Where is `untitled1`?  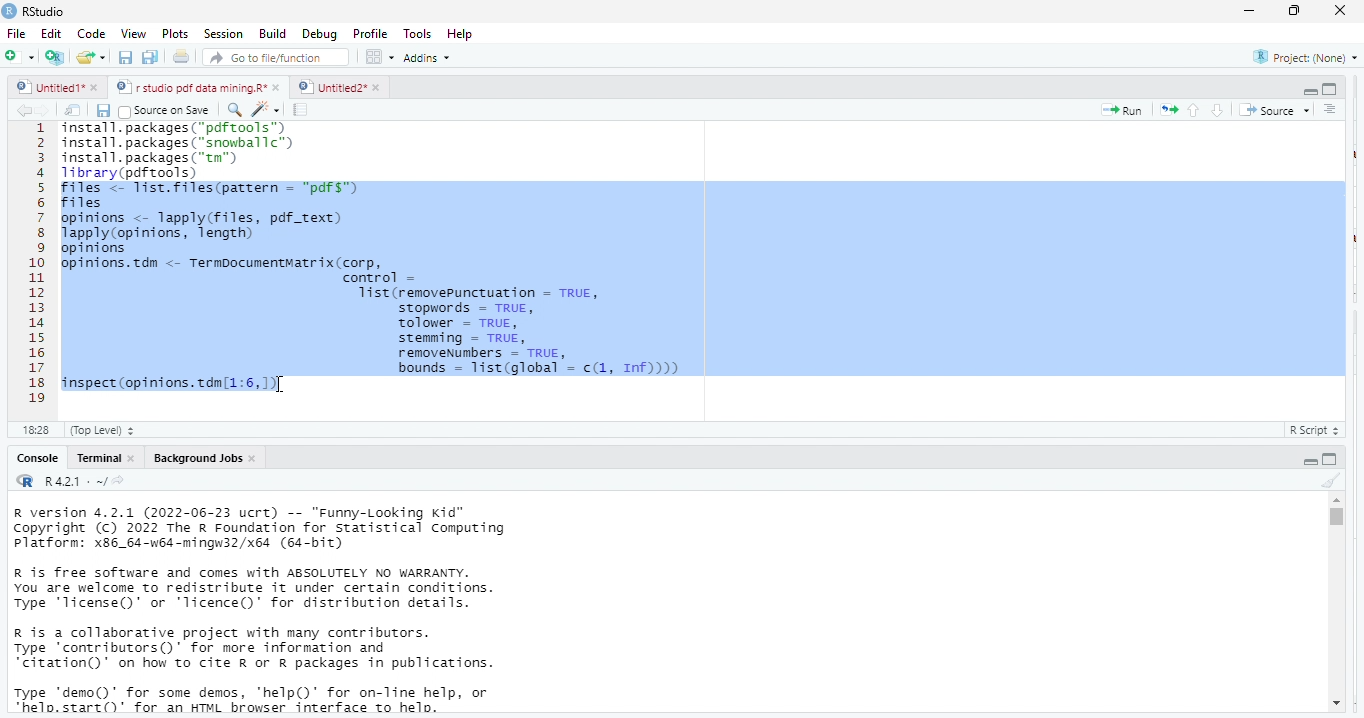 untitled1 is located at coordinates (48, 88).